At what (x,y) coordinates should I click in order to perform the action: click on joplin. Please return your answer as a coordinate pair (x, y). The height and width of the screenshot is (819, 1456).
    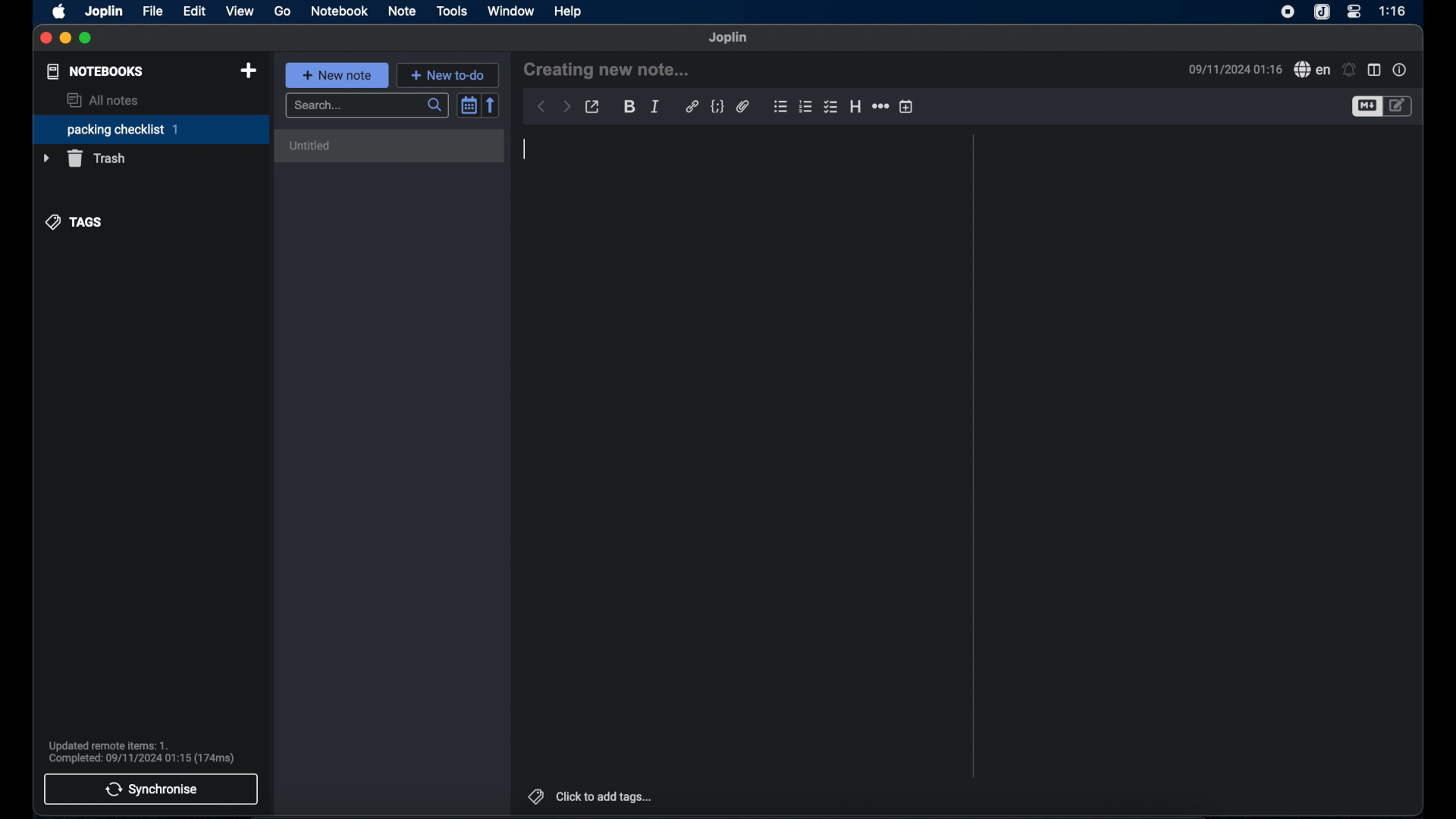
    Looking at the image, I should click on (730, 38).